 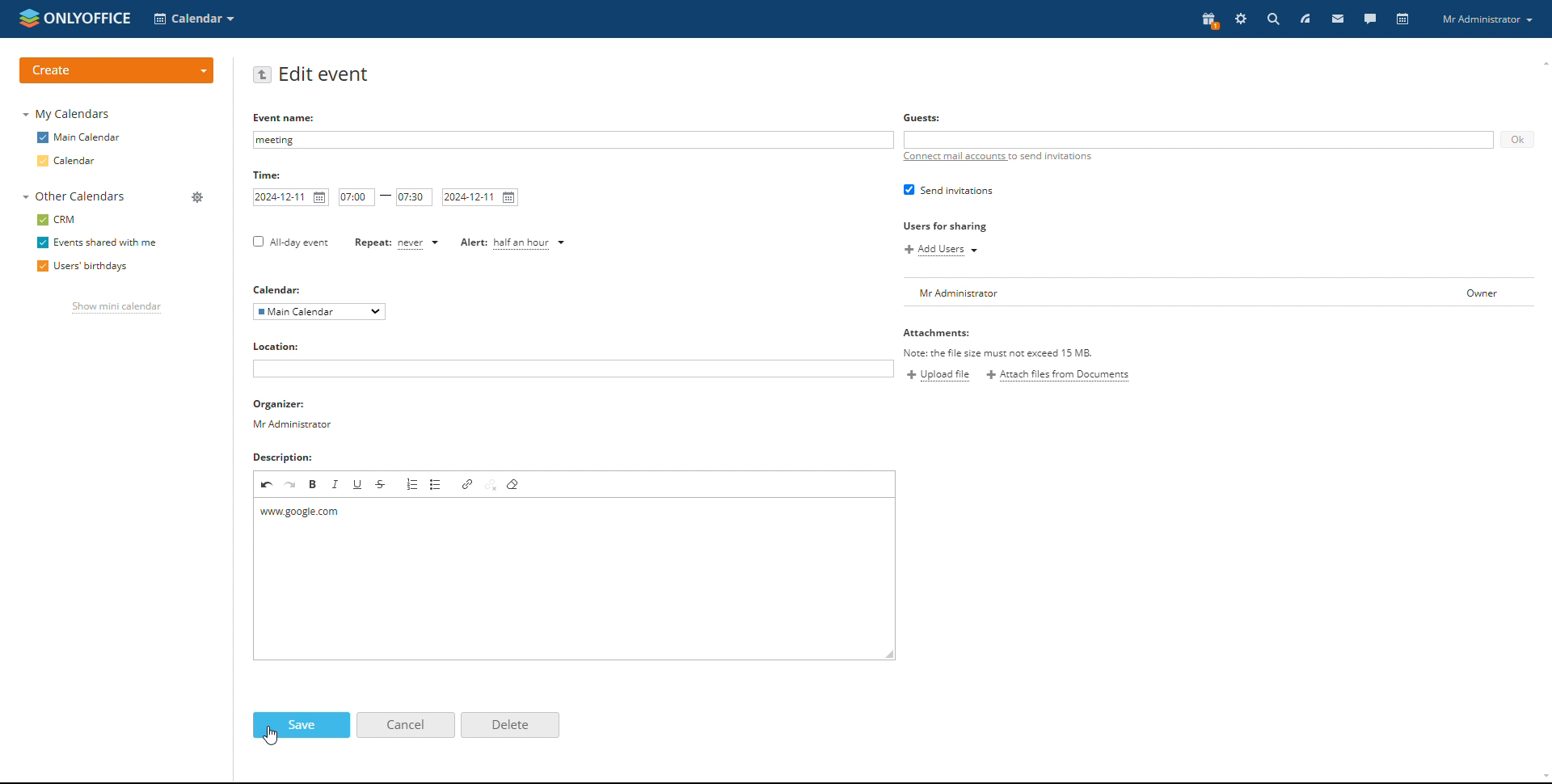 What do you see at coordinates (437, 485) in the screenshot?
I see `insert/remove bulleted list` at bounding box center [437, 485].